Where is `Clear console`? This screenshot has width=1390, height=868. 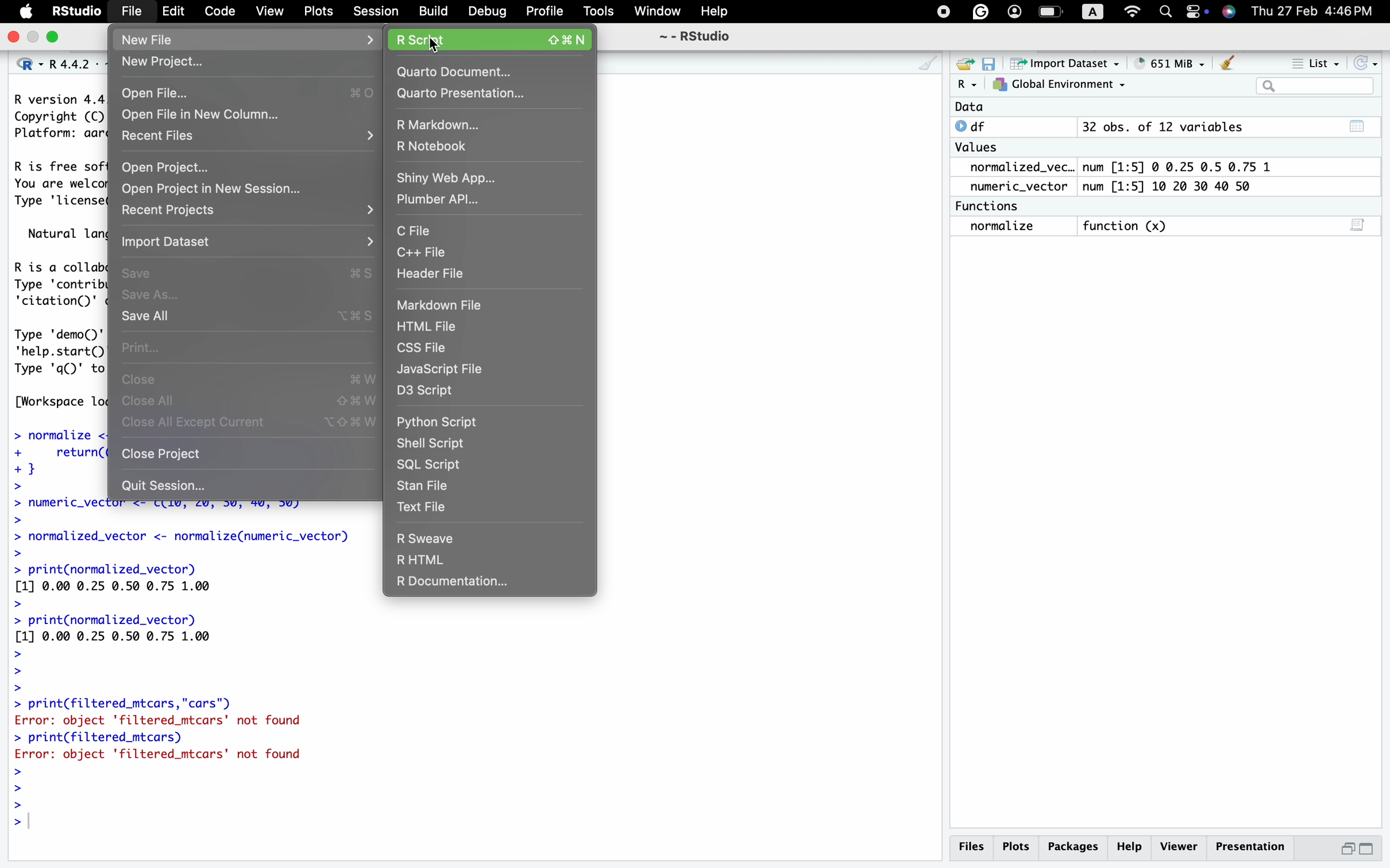
Clear console is located at coordinates (1230, 61).